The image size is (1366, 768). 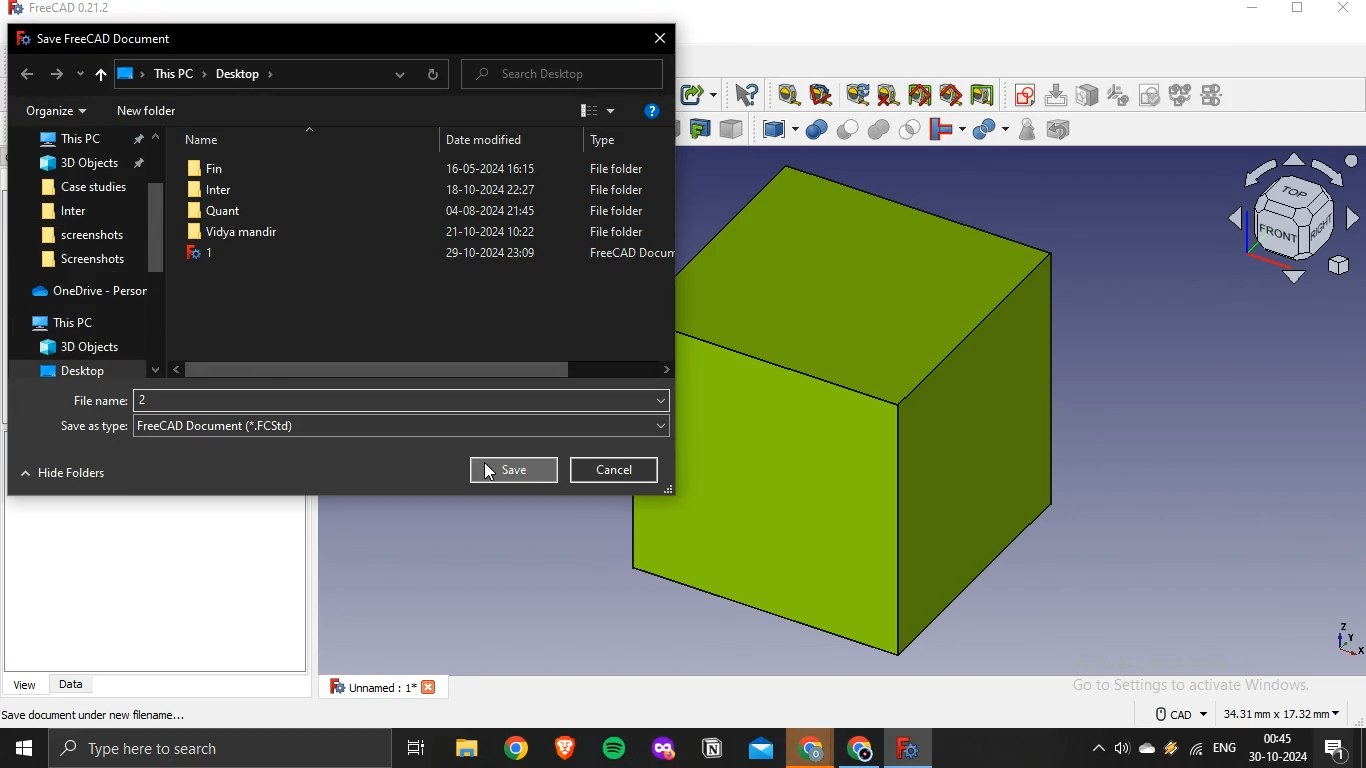 What do you see at coordinates (100, 401) in the screenshot?
I see `filename` at bounding box center [100, 401].